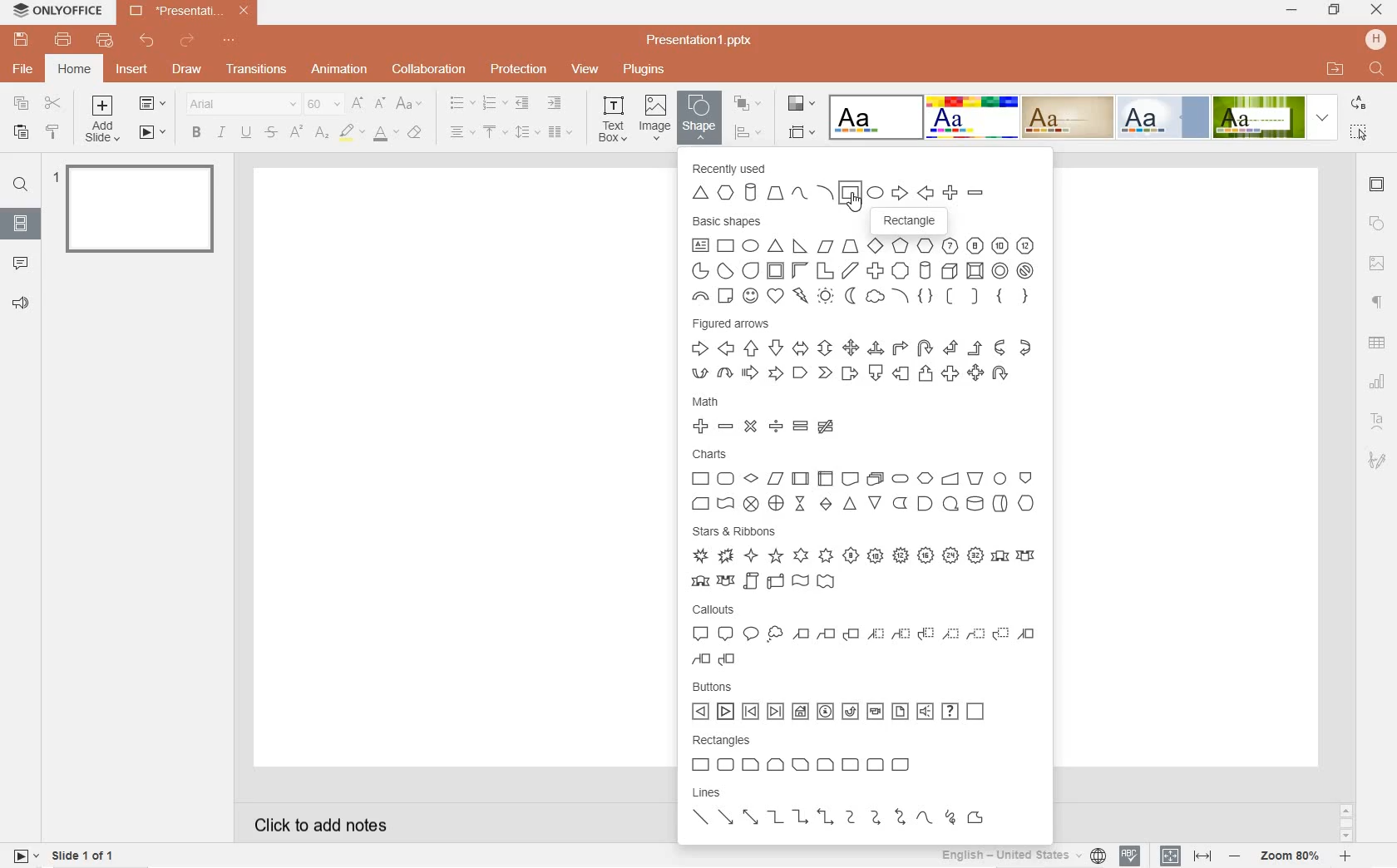 The height and width of the screenshot is (868, 1397). Describe the element at coordinates (727, 659) in the screenshot. I see `Line Callout 3 (border and accent bar)` at that location.